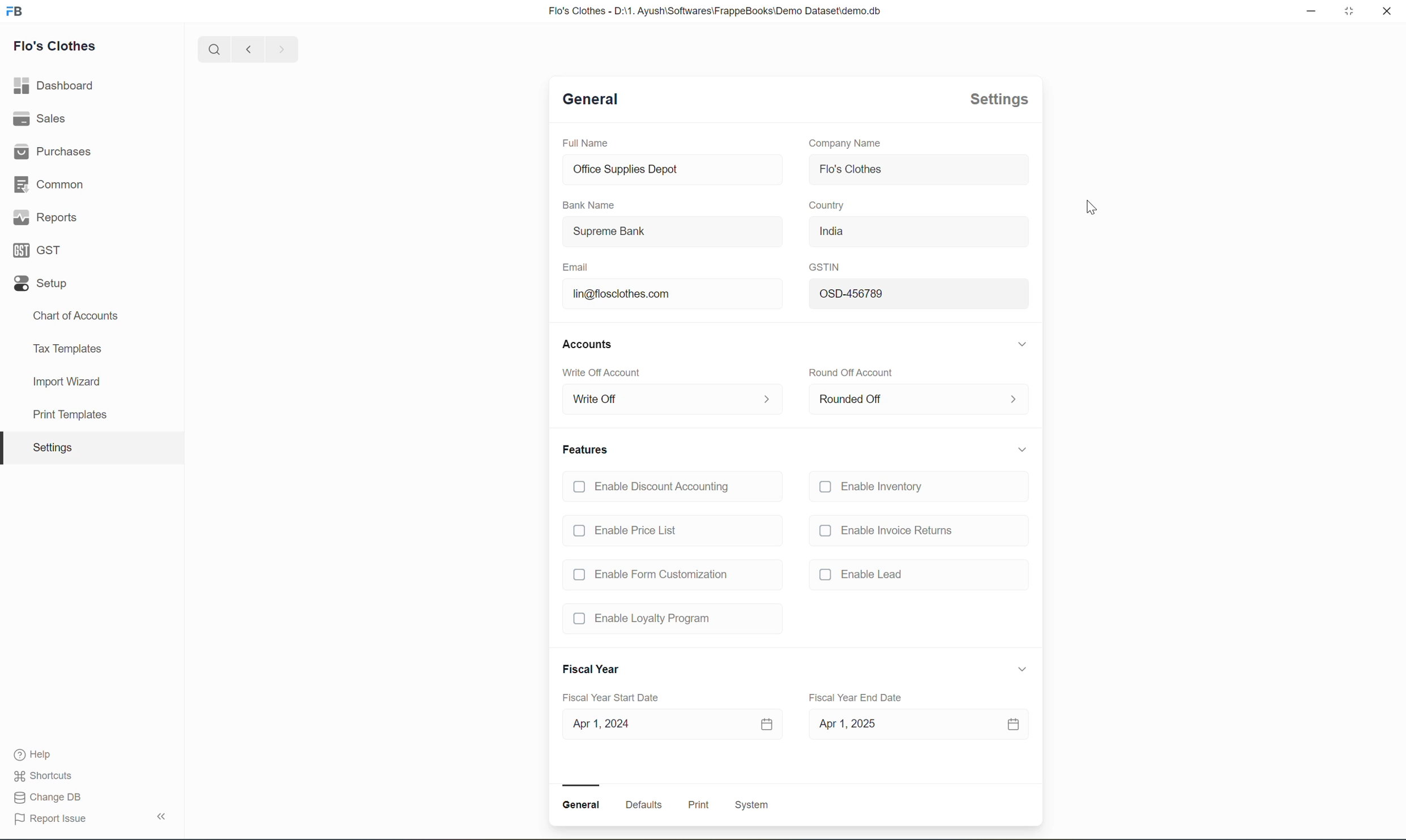 The width and height of the screenshot is (1406, 840). What do you see at coordinates (890, 724) in the screenshot?
I see `Apr 1, 2025` at bounding box center [890, 724].